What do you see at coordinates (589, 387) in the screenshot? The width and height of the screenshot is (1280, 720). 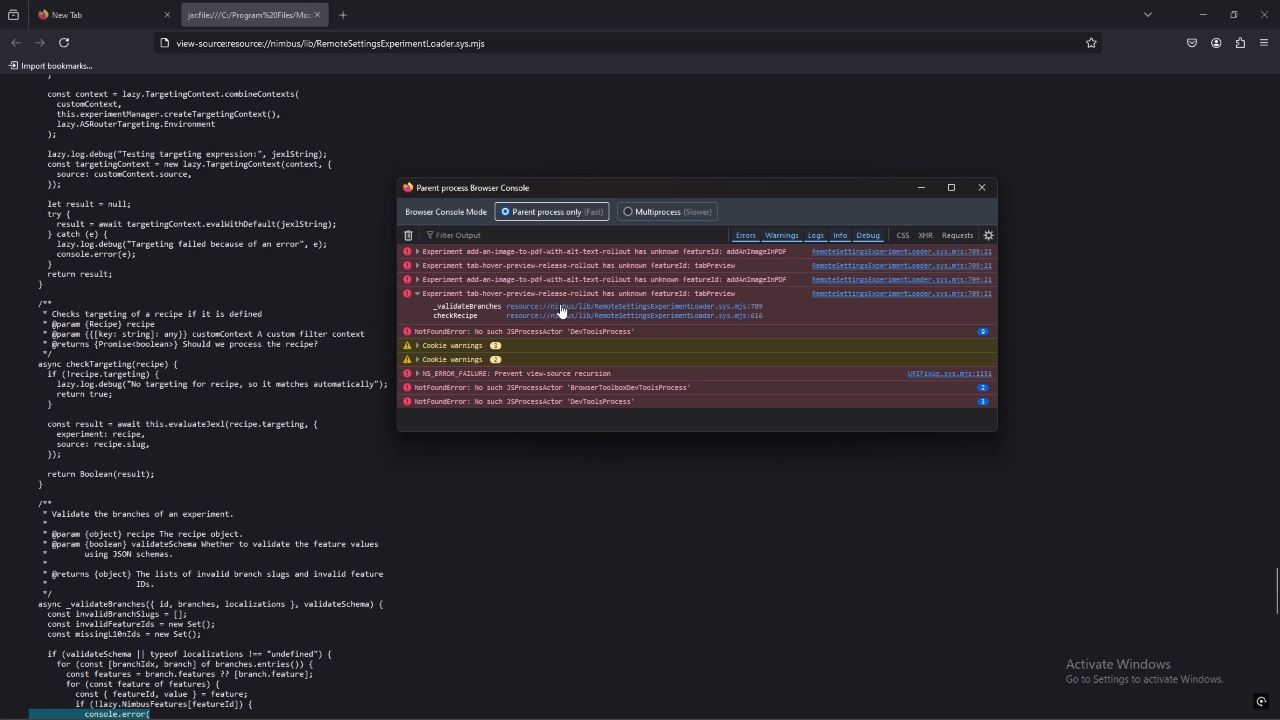 I see `log` at bounding box center [589, 387].